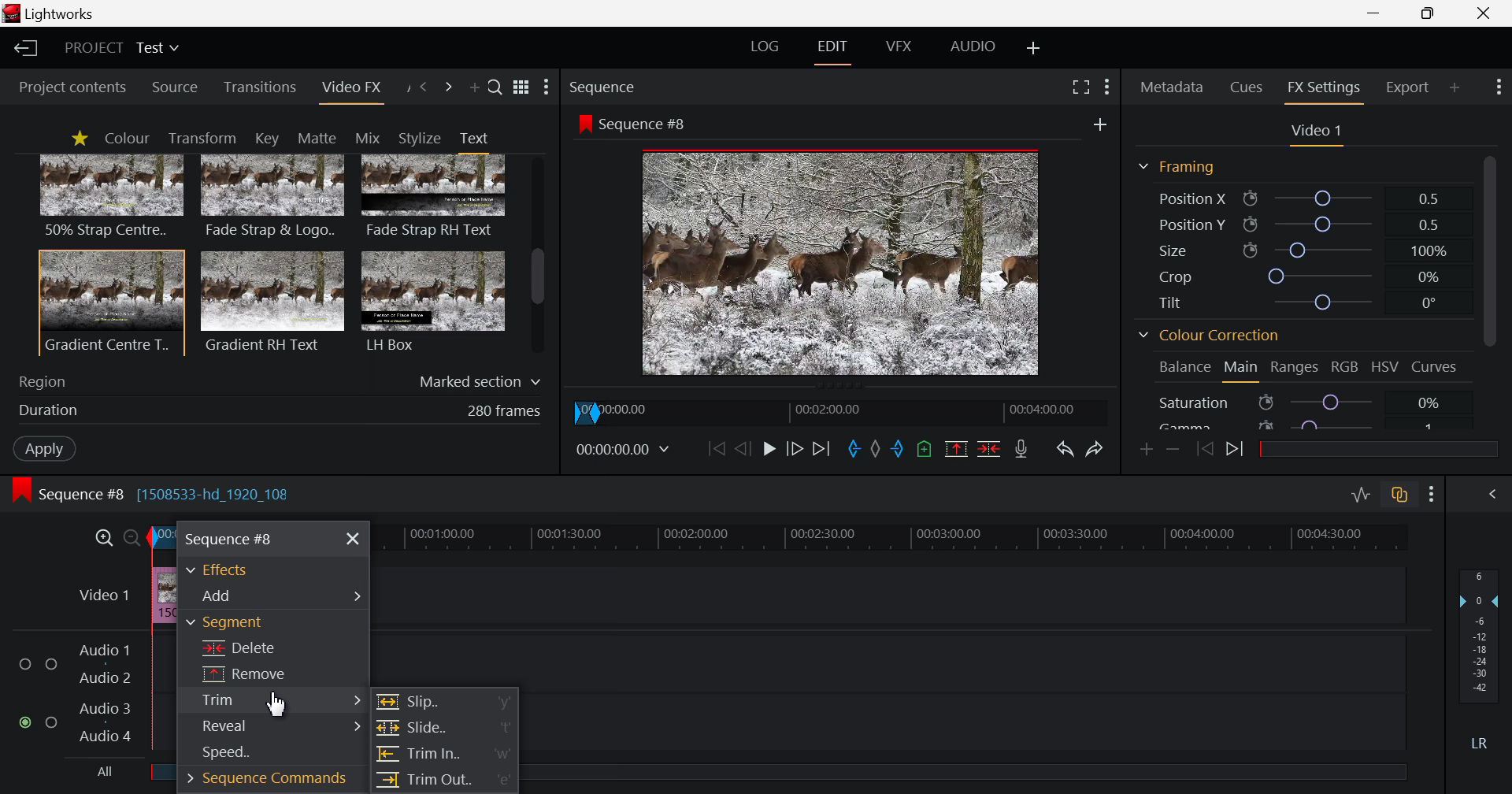 This screenshot has width=1512, height=794. Describe the element at coordinates (885, 538) in the screenshot. I see `Project Timeline` at that location.